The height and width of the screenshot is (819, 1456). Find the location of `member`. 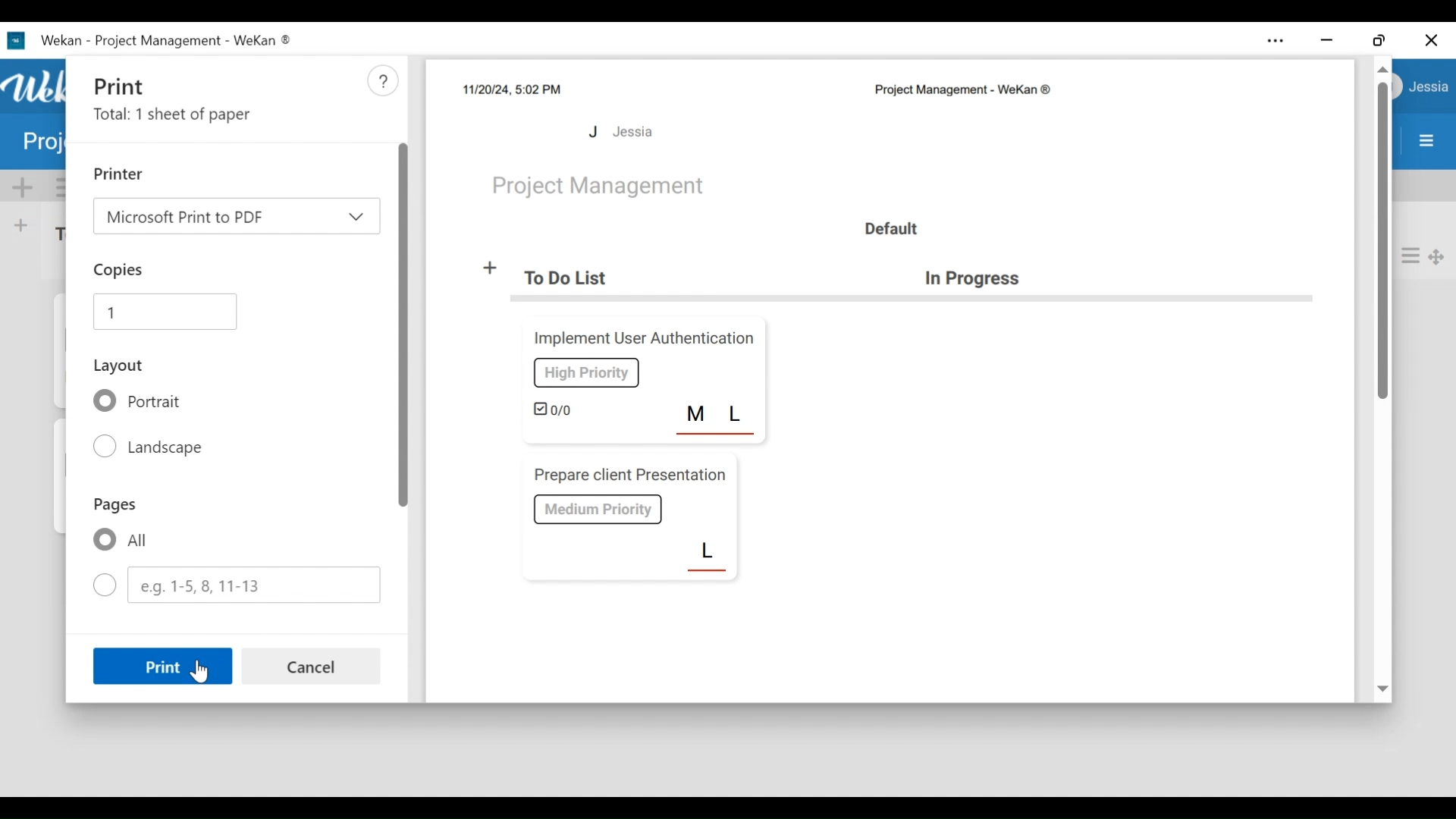

member is located at coordinates (708, 553).